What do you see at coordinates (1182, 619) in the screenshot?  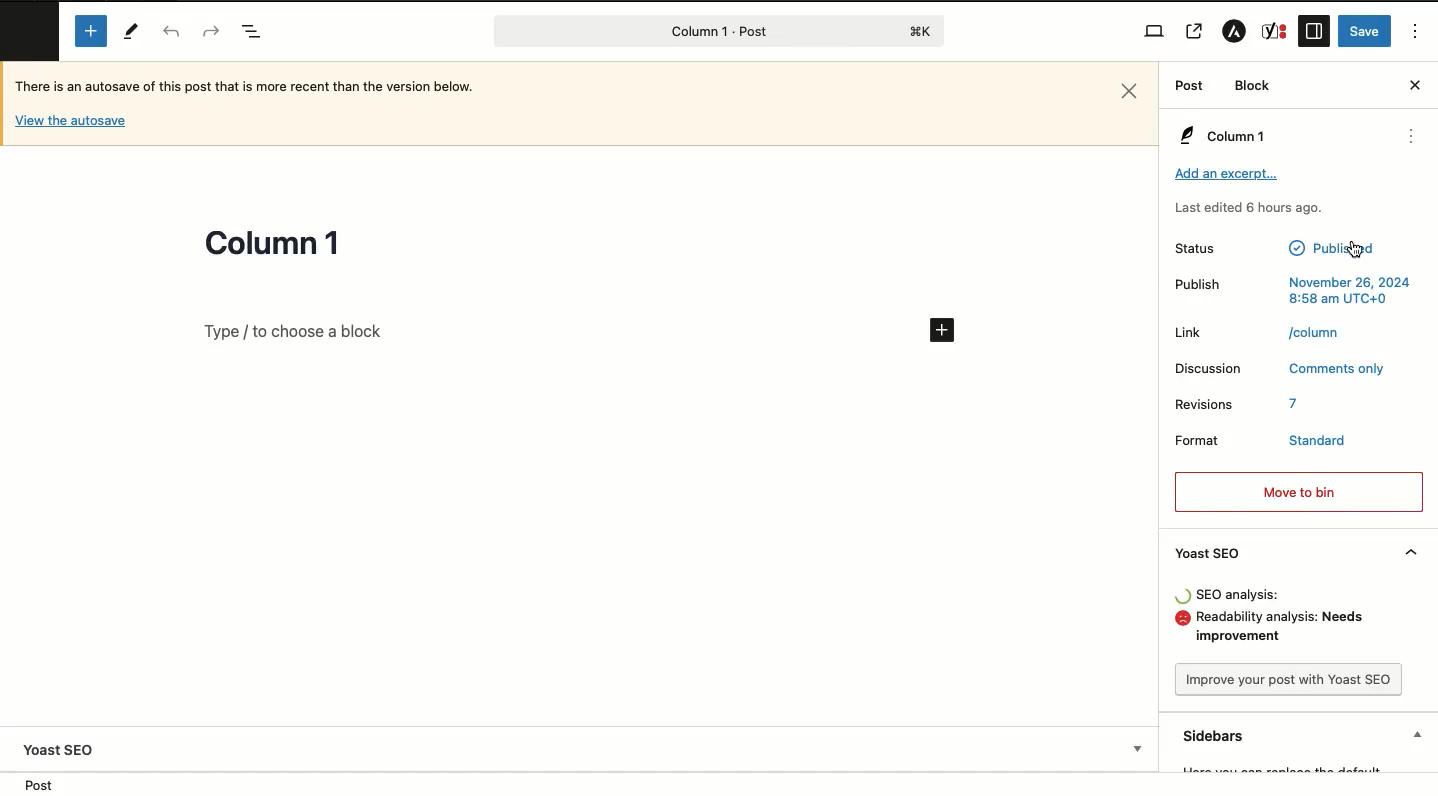 I see `emoji` at bounding box center [1182, 619].